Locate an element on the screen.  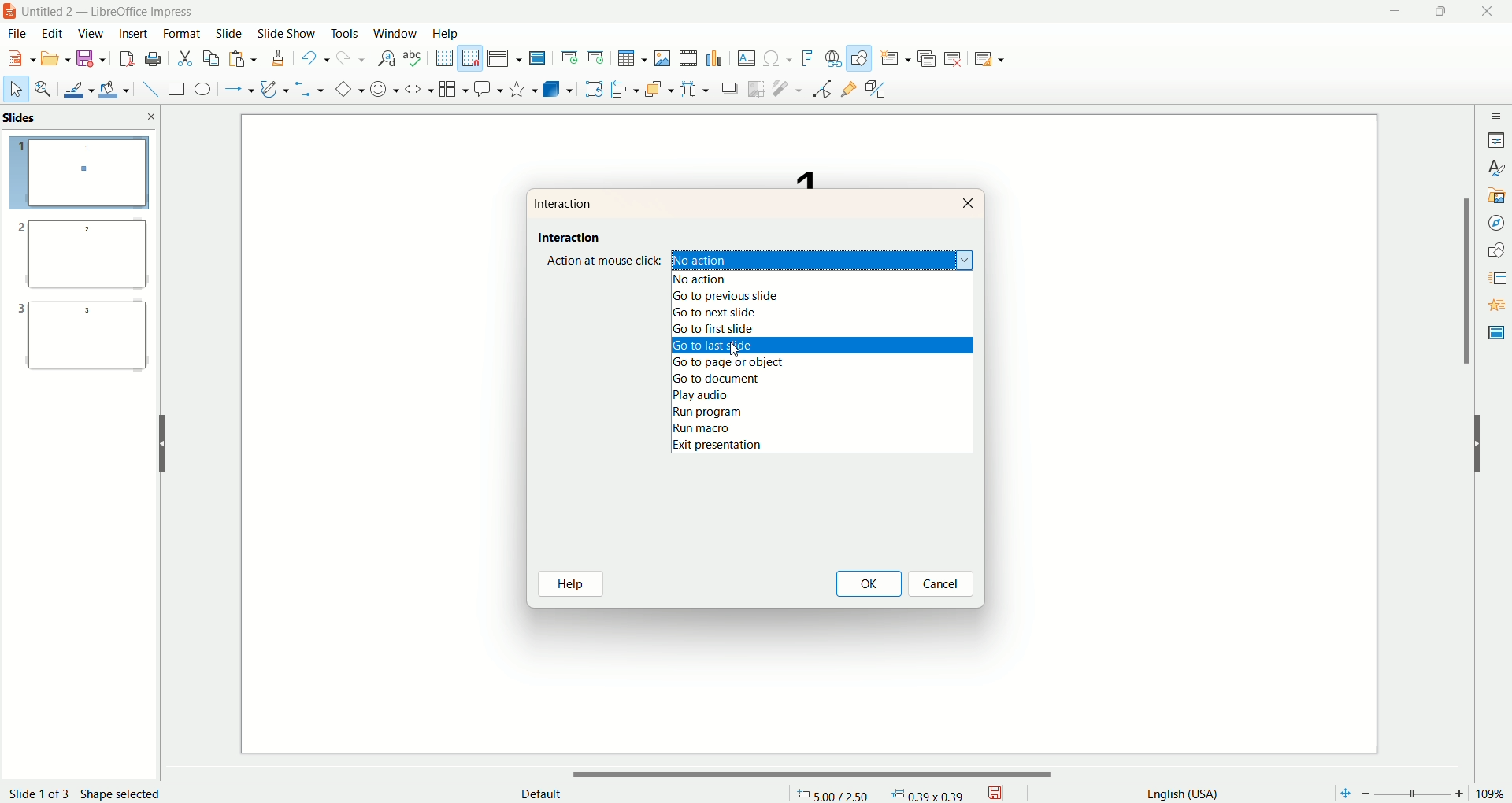
dropdown is located at coordinates (966, 261).